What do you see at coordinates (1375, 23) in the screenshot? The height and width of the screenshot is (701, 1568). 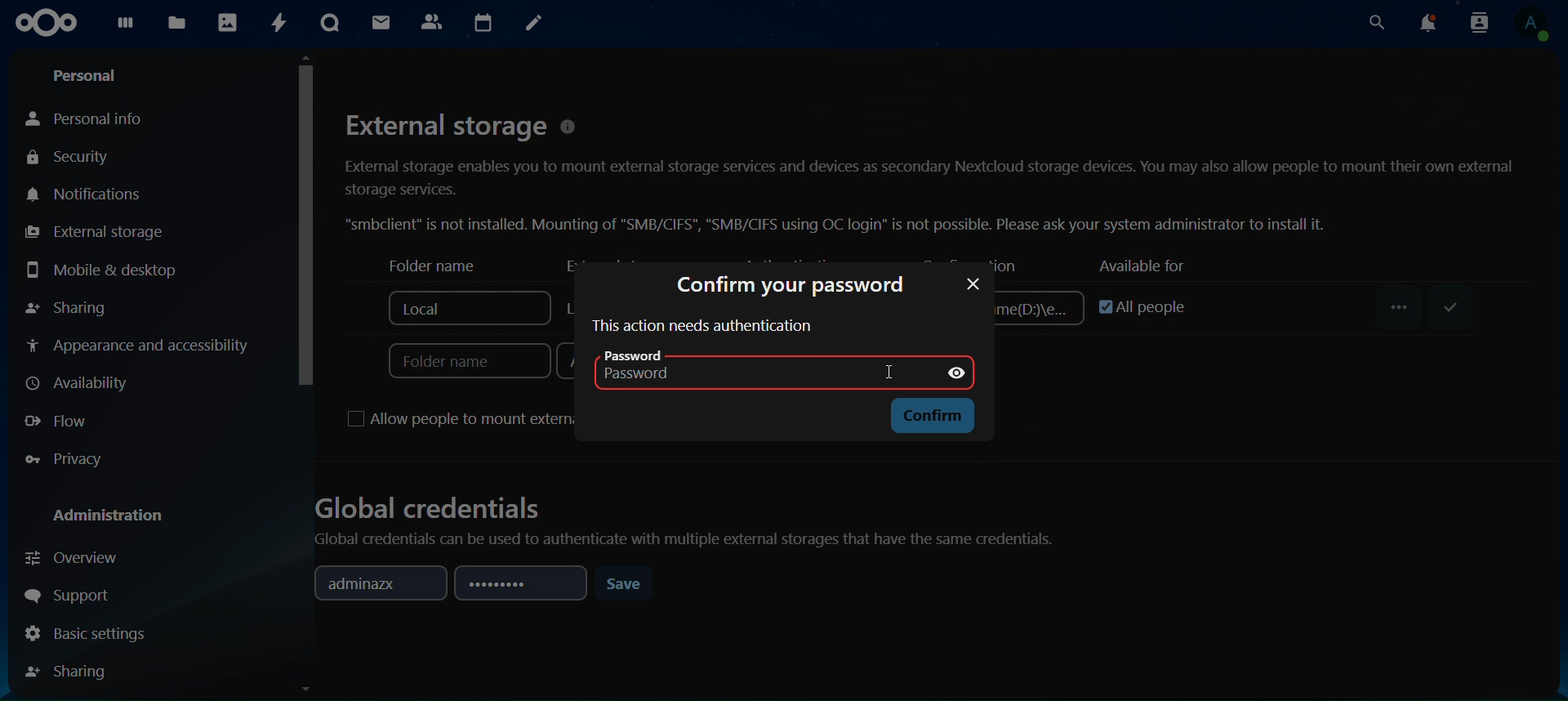 I see `search` at bounding box center [1375, 23].